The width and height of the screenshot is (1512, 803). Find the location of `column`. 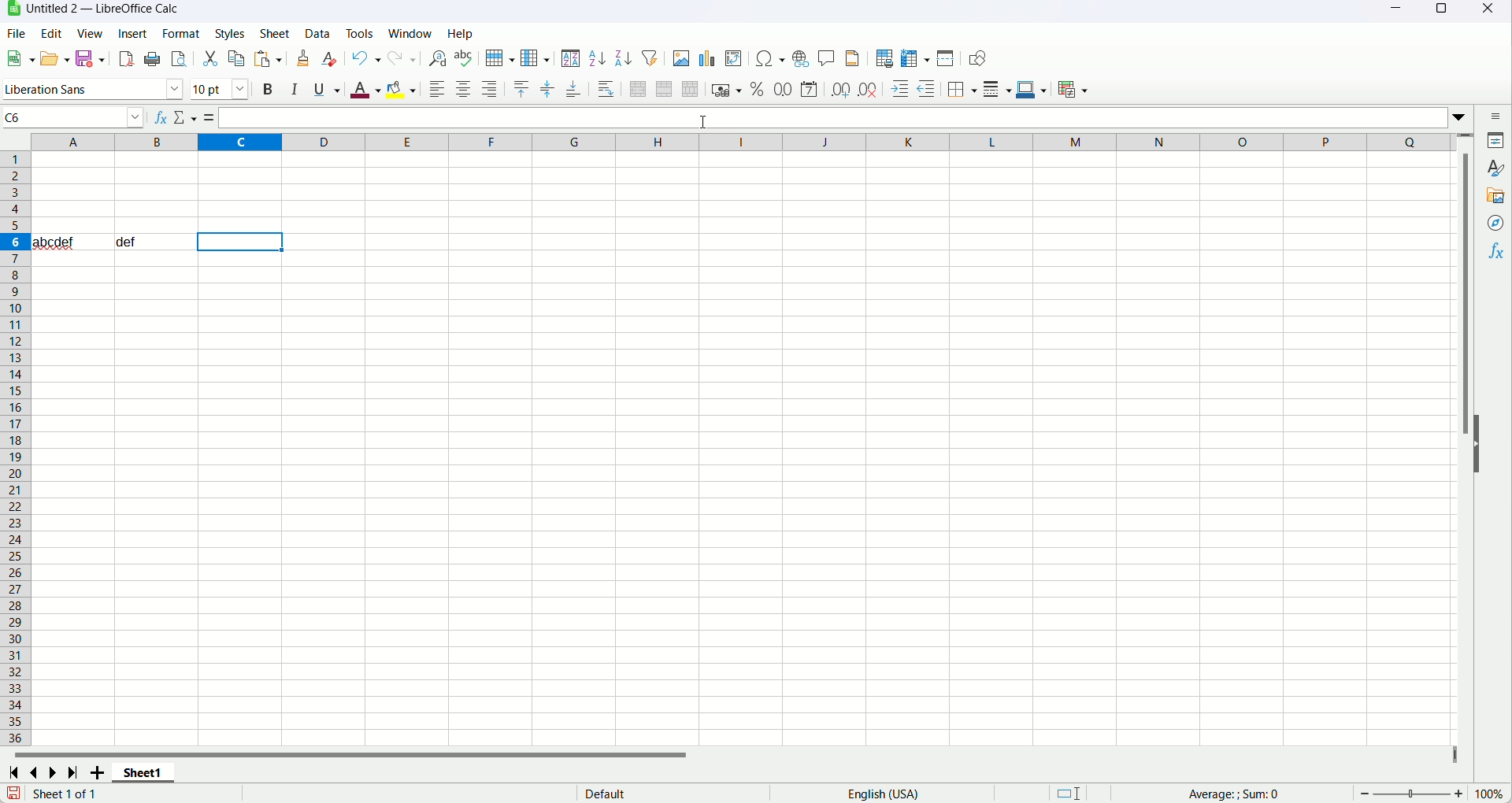

column is located at coordinates (535, 59).